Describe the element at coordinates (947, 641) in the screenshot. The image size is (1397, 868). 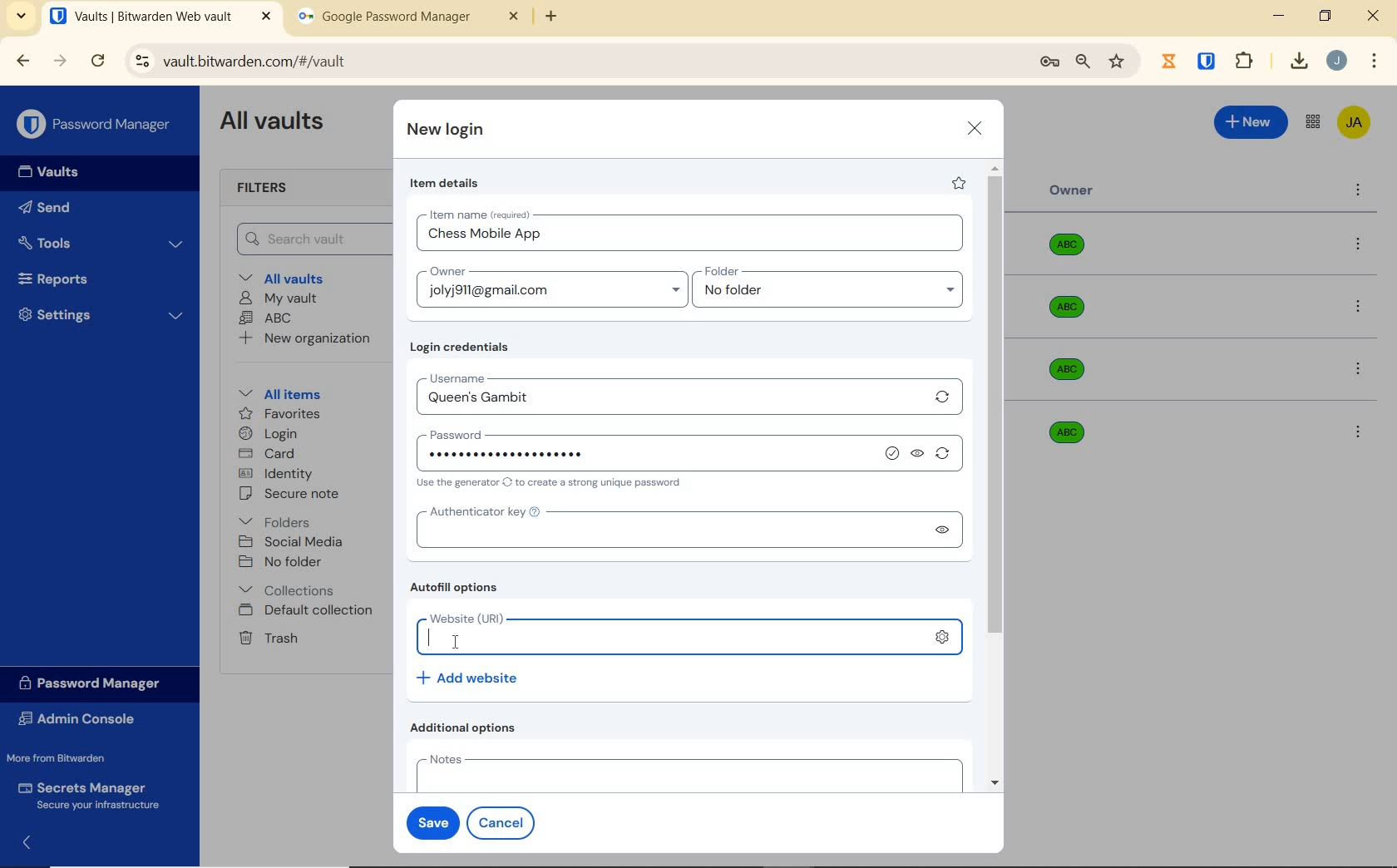
I see `link` at that location.